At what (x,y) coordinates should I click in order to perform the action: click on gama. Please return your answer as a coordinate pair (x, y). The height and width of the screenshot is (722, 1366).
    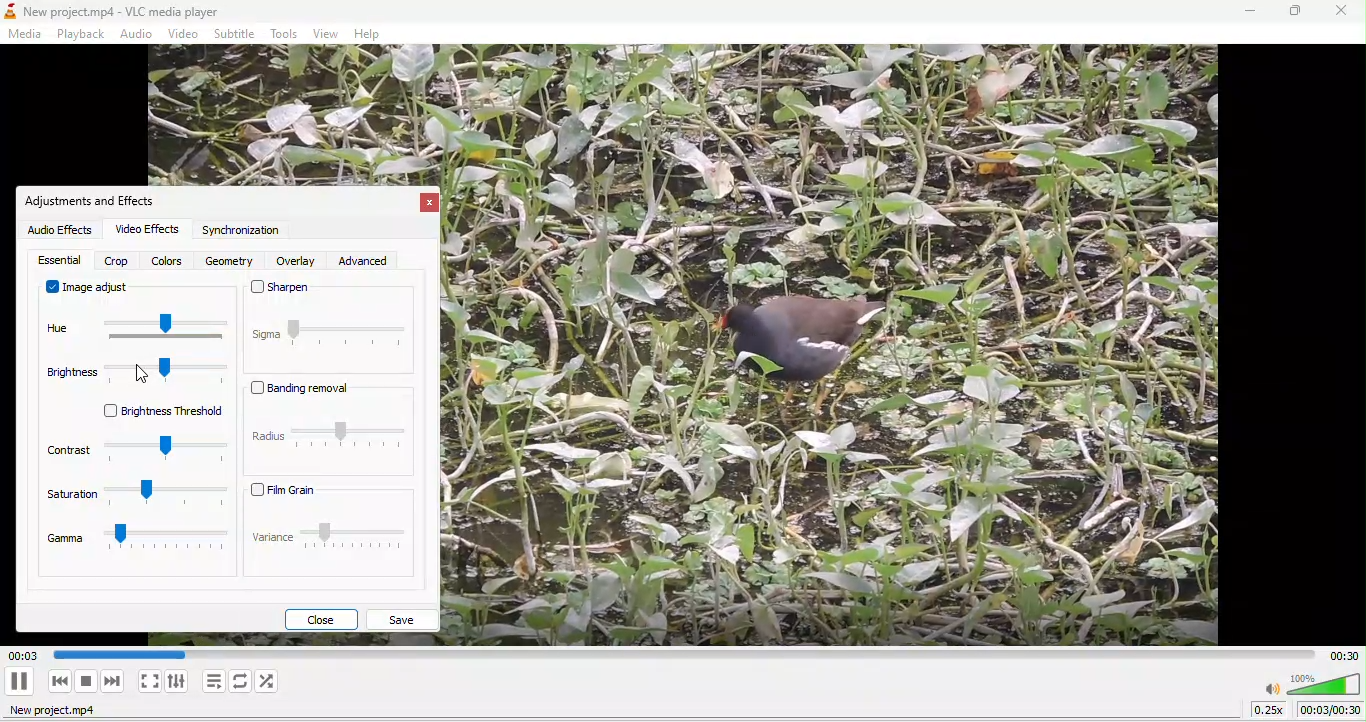
    Looking at the image, I should click on (134, 546).